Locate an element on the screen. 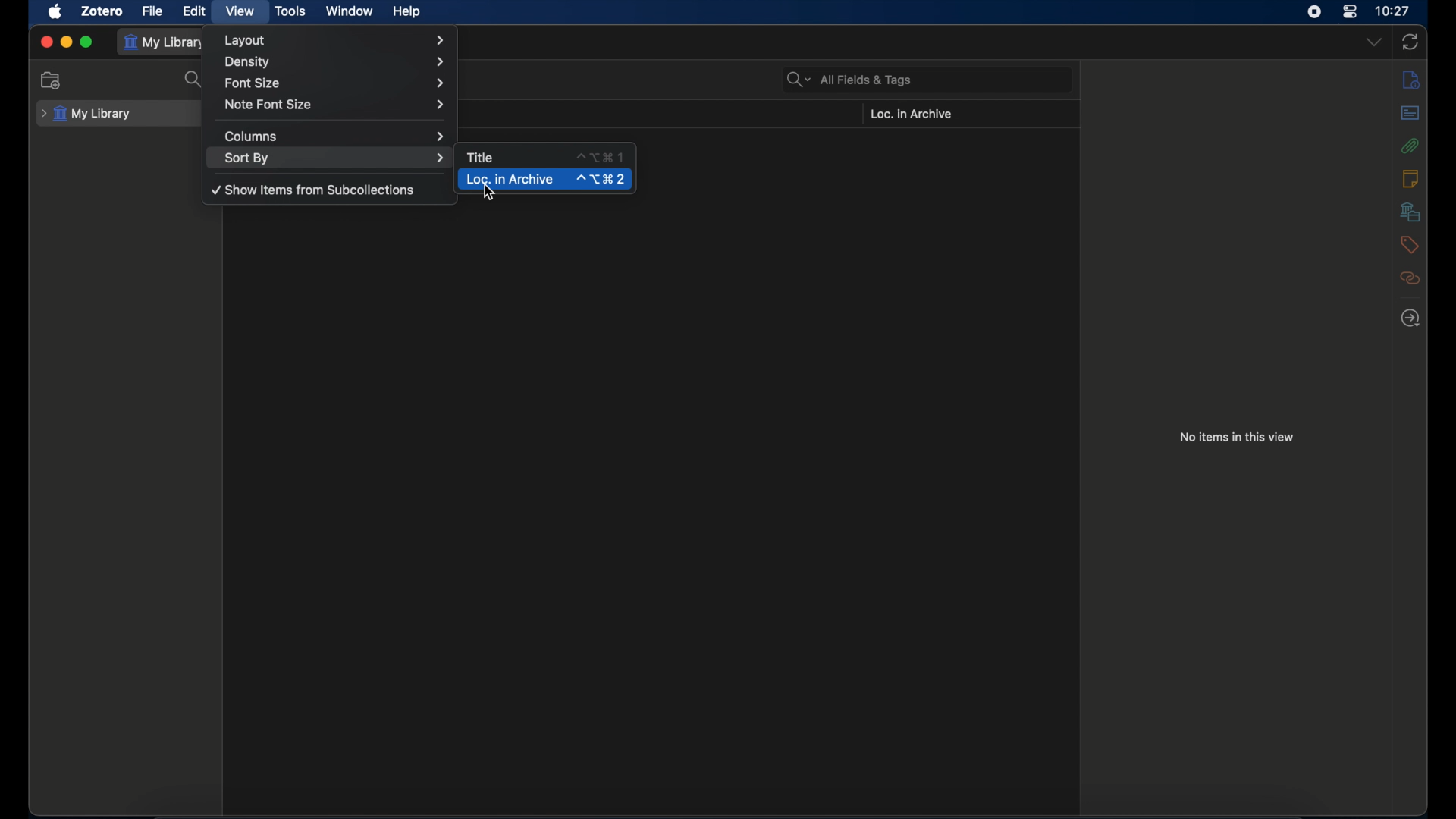  abstract is located at coordinates (1409, 112).